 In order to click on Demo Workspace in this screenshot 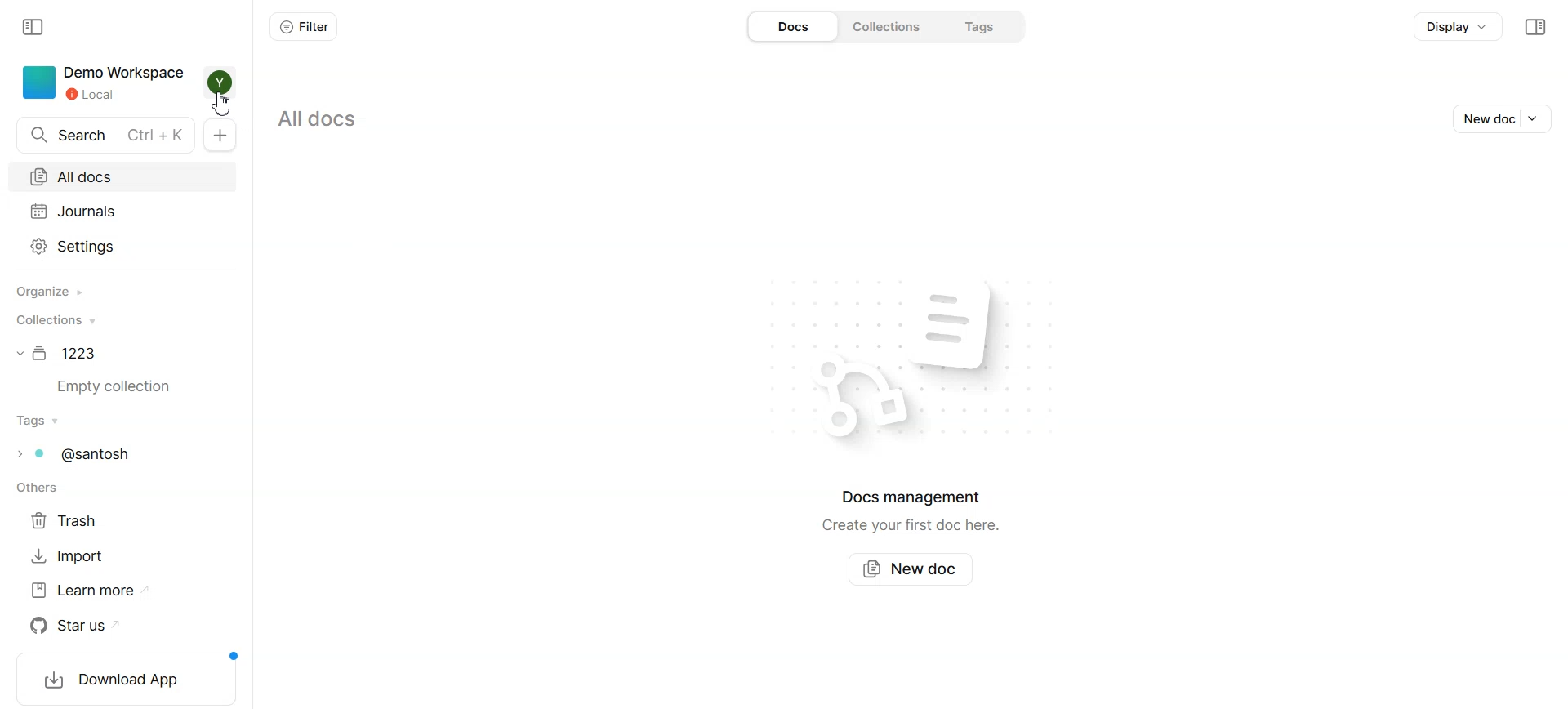, I will do `click(104, 83)`.